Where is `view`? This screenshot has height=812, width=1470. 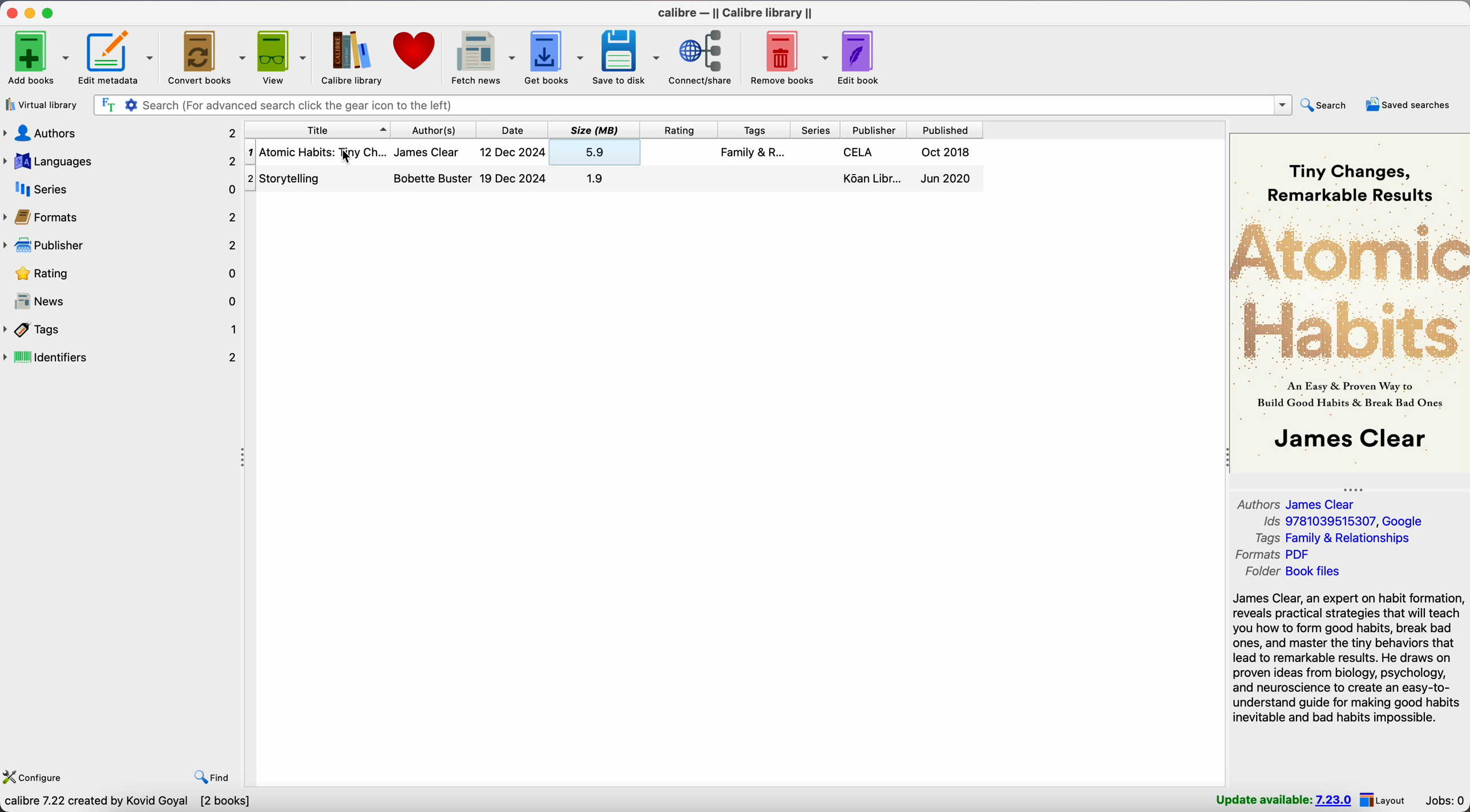 view is located at coordinates (281, 57).